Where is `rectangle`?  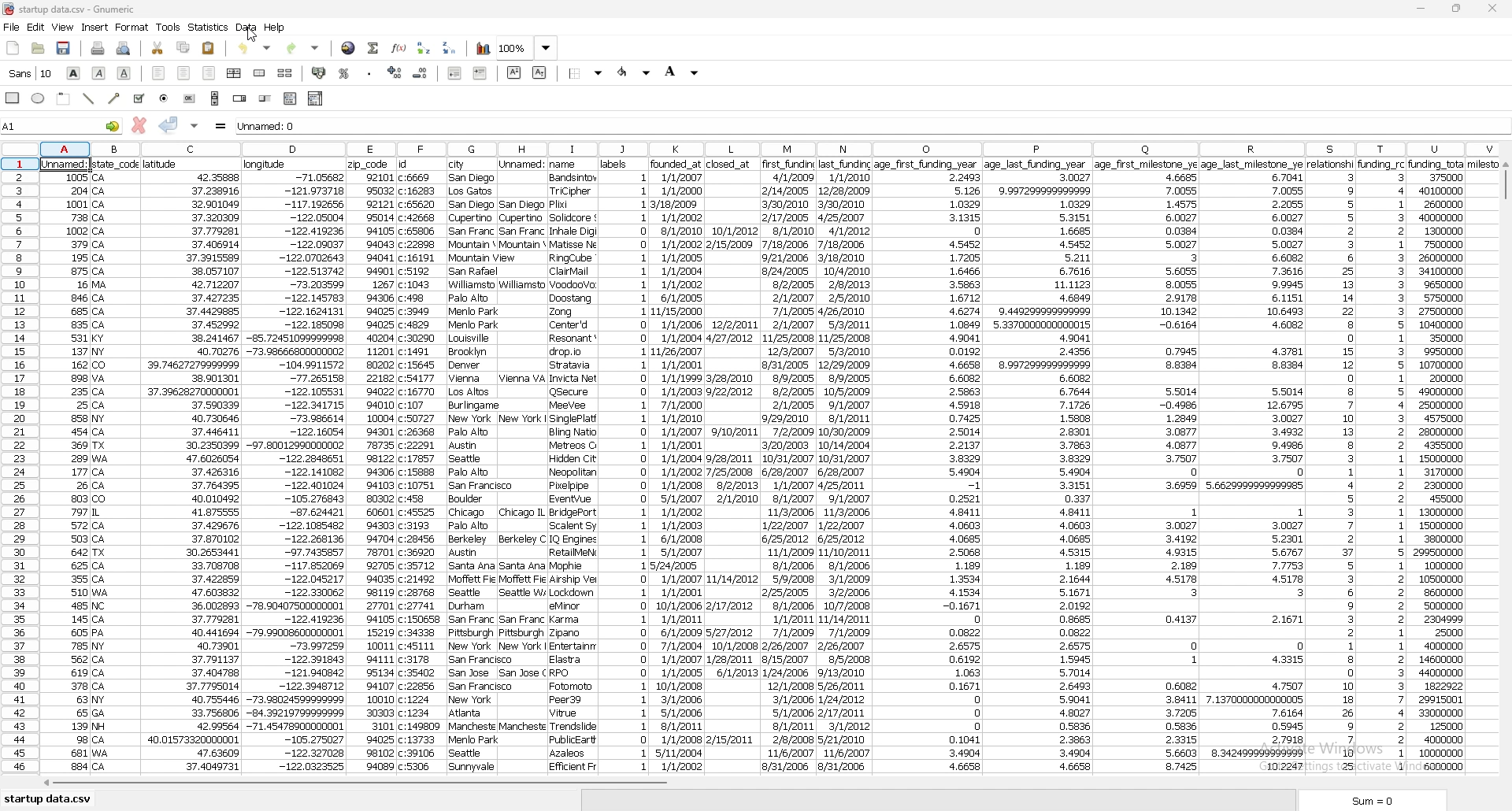 rectangle is located at coordinates (14, 97).